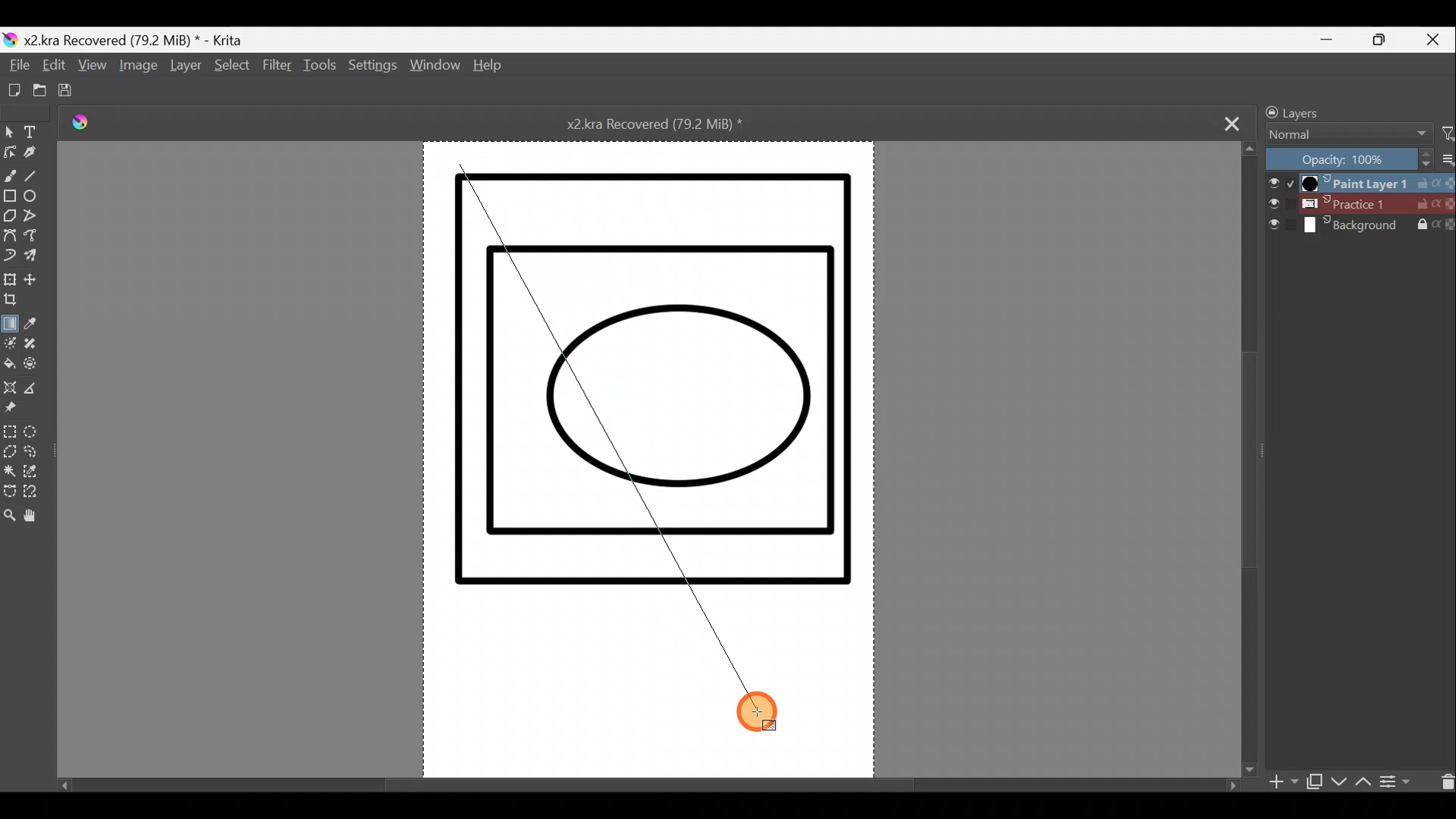 This screenshot has width=1456, height=819. I want to click on Open existing document, so click(33, 91).